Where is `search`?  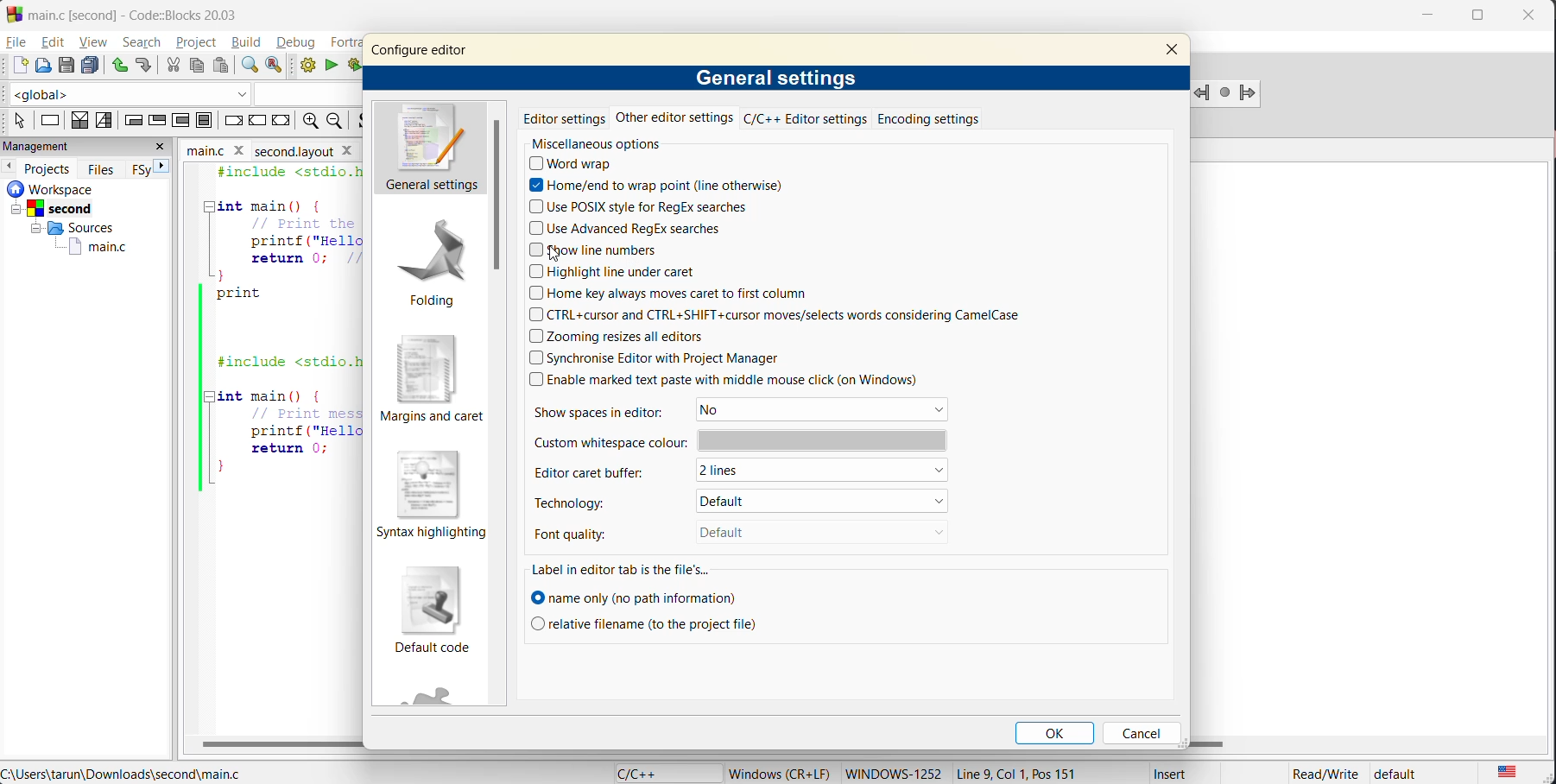
search is located at coordinates (145, 42).